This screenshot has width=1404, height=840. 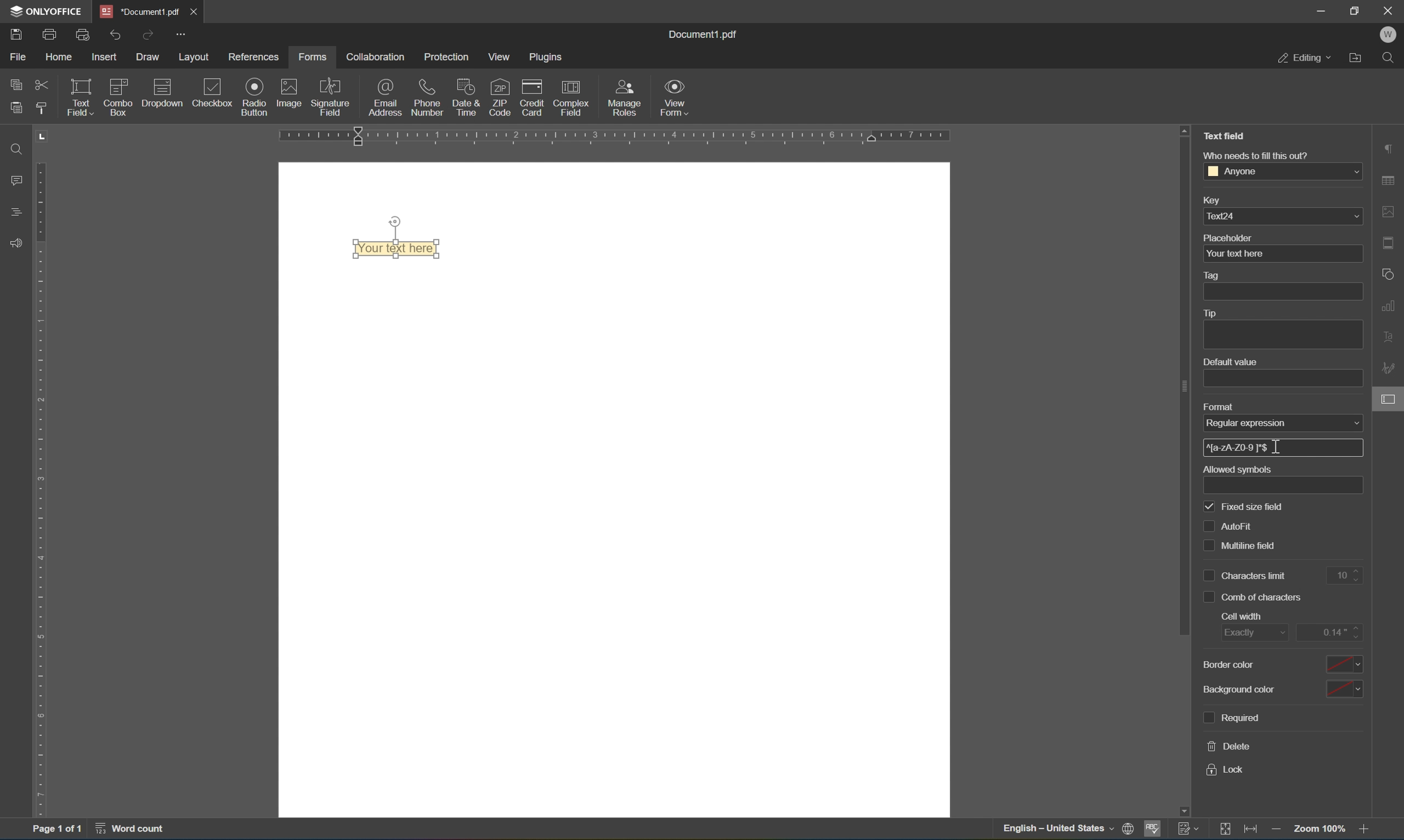 I want to click on scroll down, so click(x=1183, y=811).